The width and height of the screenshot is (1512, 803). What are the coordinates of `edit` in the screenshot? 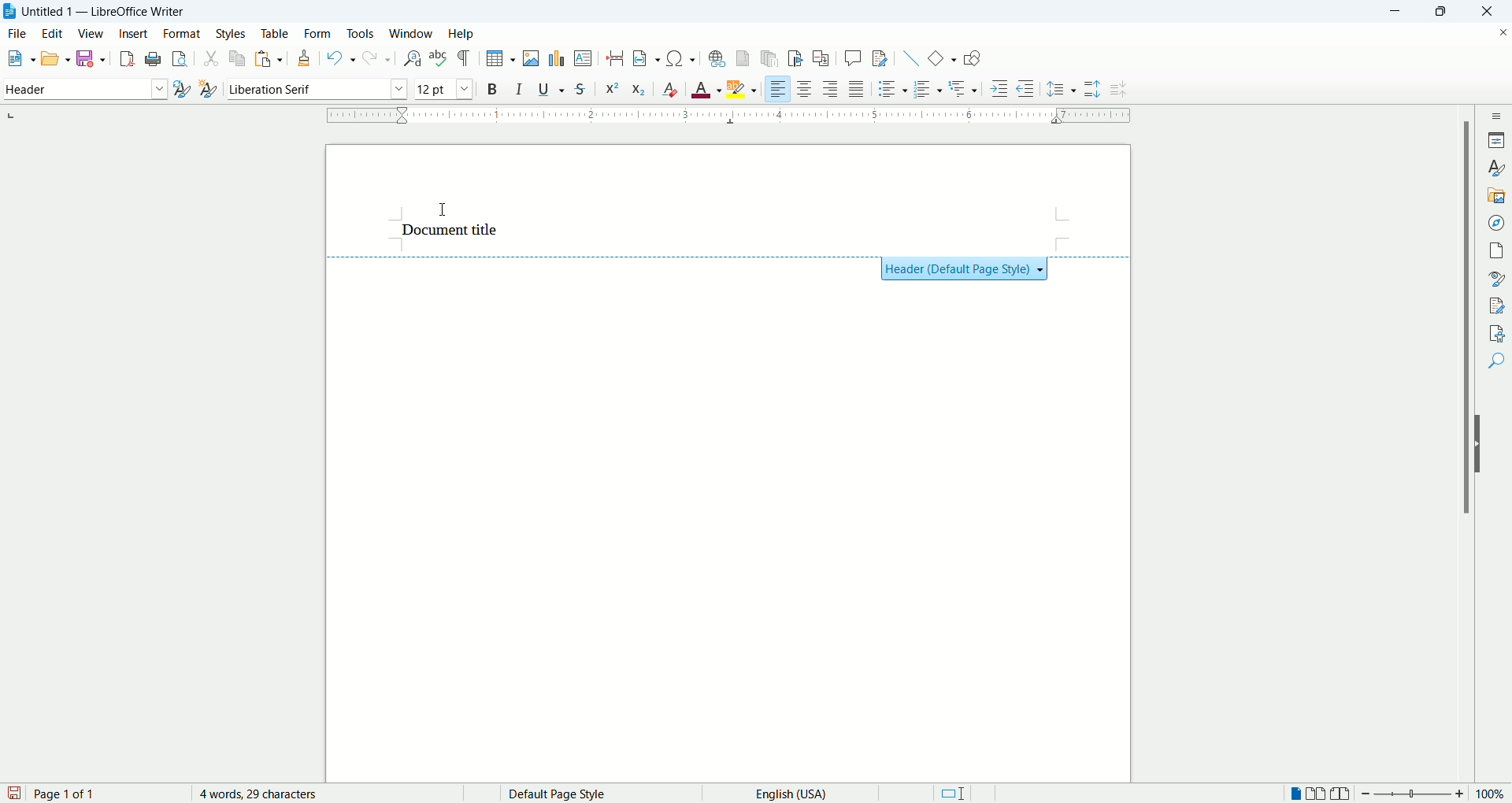 It's located at (50, 35).